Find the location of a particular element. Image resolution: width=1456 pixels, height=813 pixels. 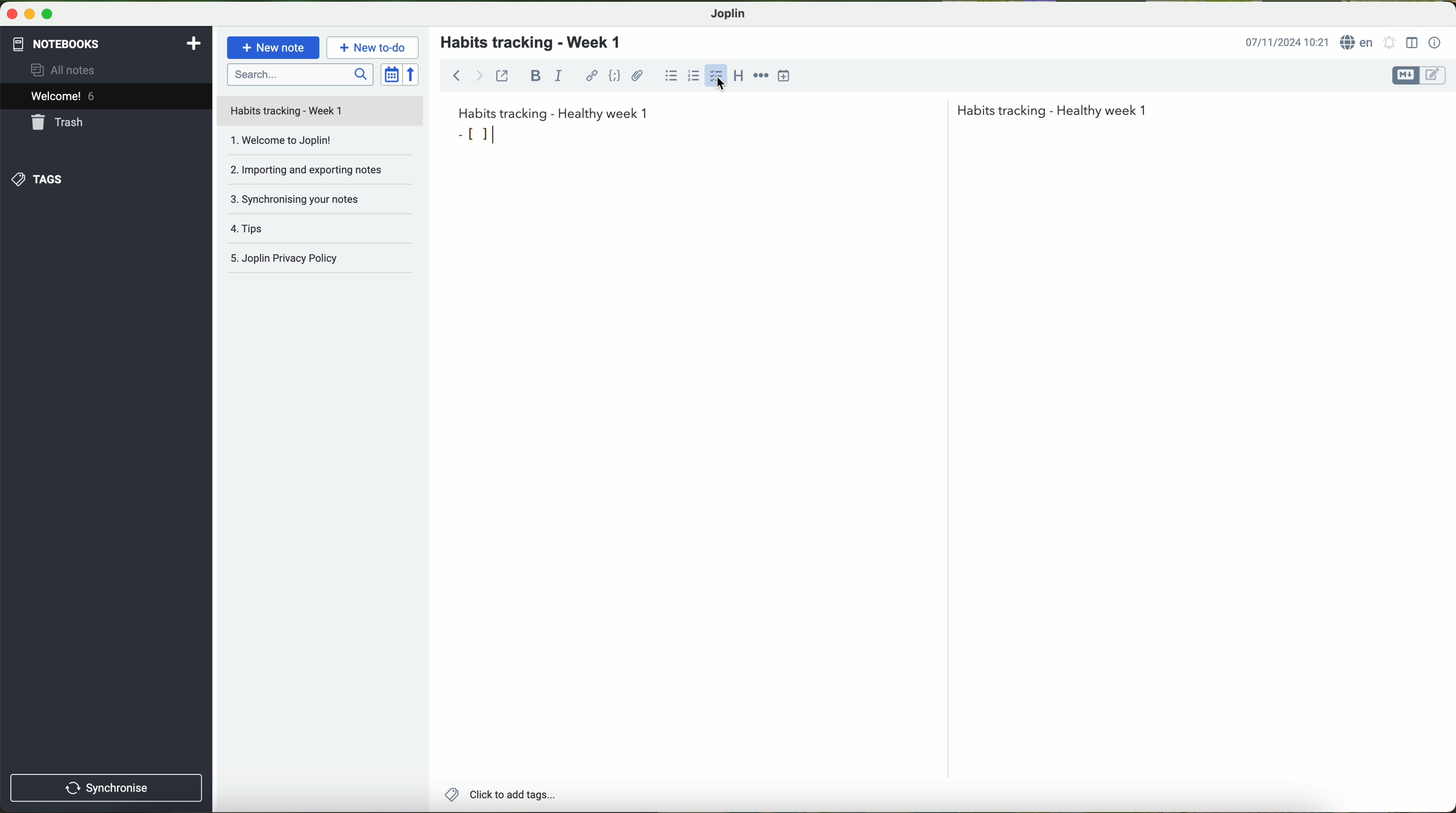

code is located at coordinates (616, 76).